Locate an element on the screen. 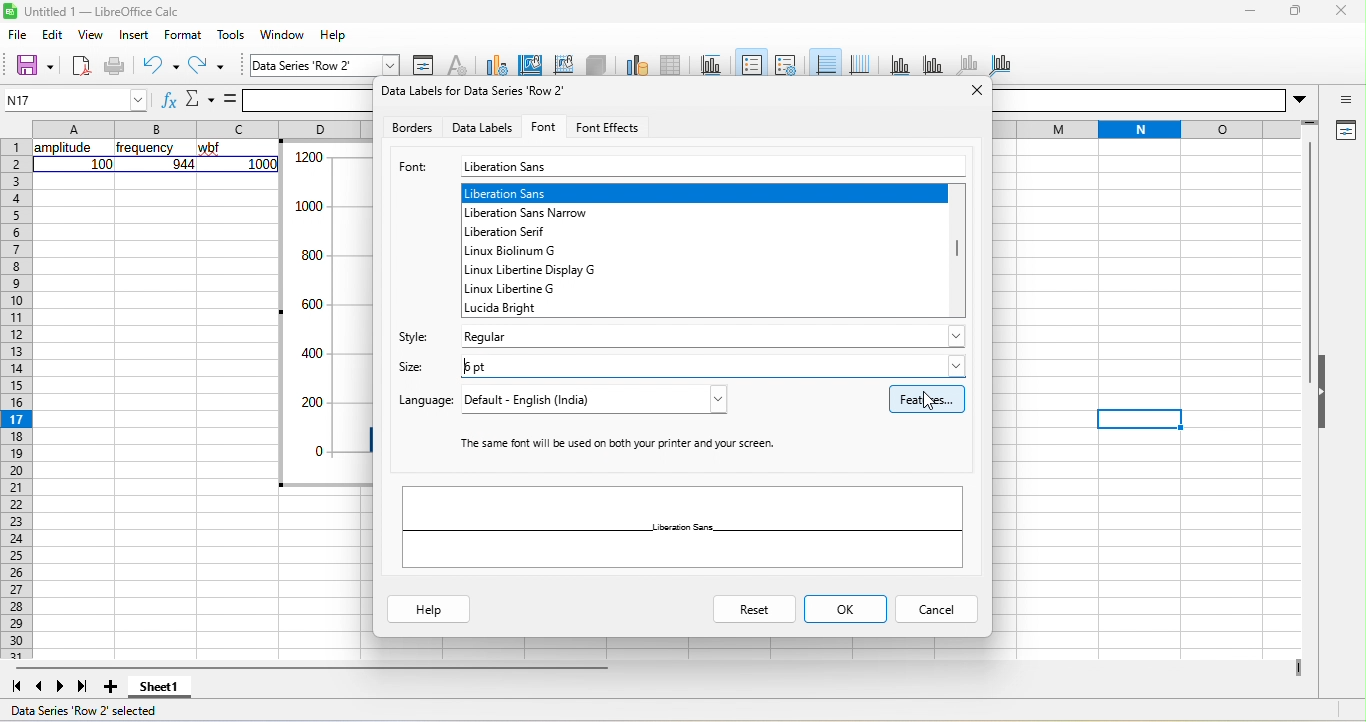 The width and height of the screenshot is (1366, 722). horizontal grid is located at coordinates (824, 61).